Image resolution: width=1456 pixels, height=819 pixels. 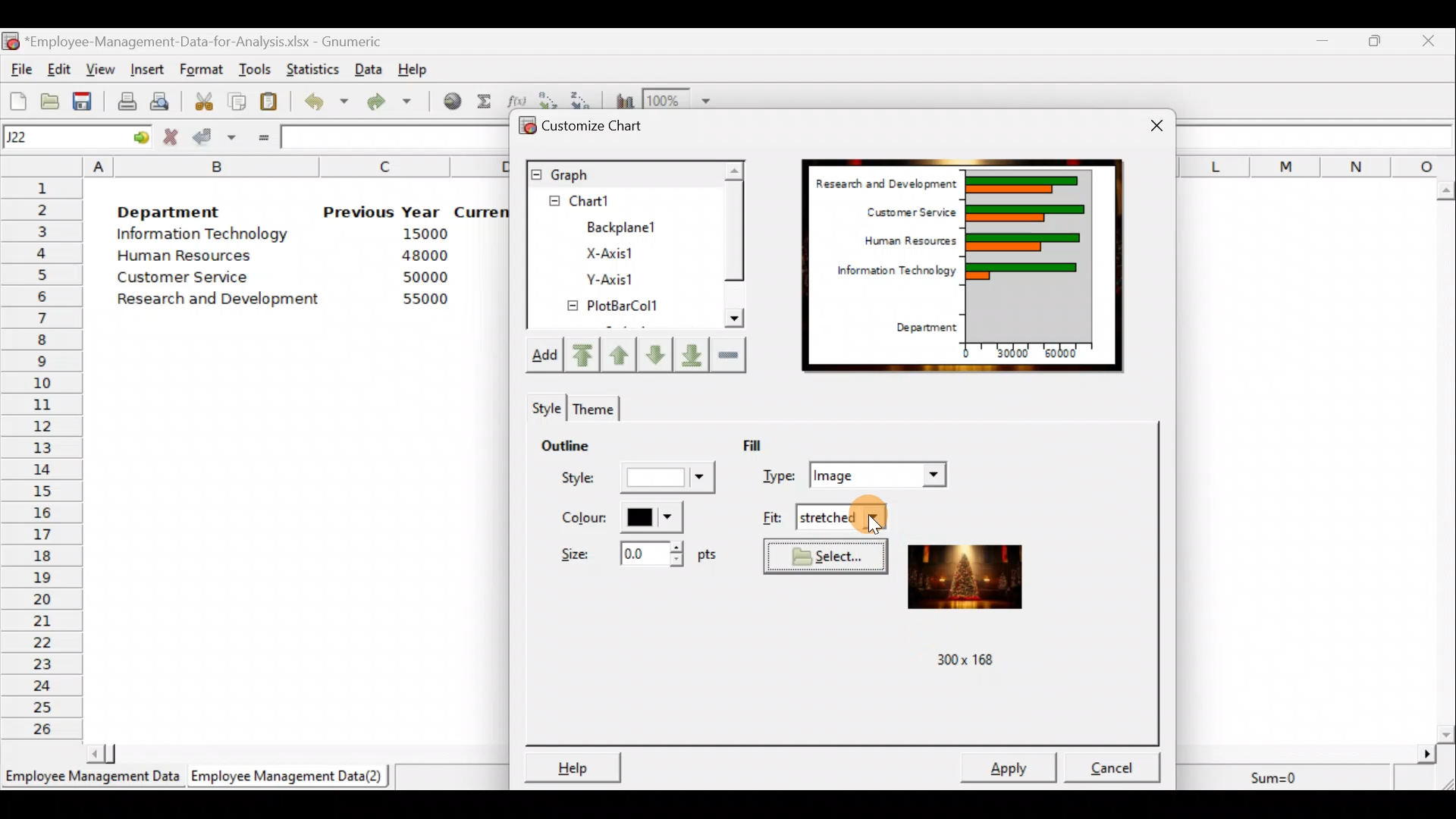 What do you see at coordinates (423, 300) in the screenshot?
I see `55000` at bounding box center [423, 300].